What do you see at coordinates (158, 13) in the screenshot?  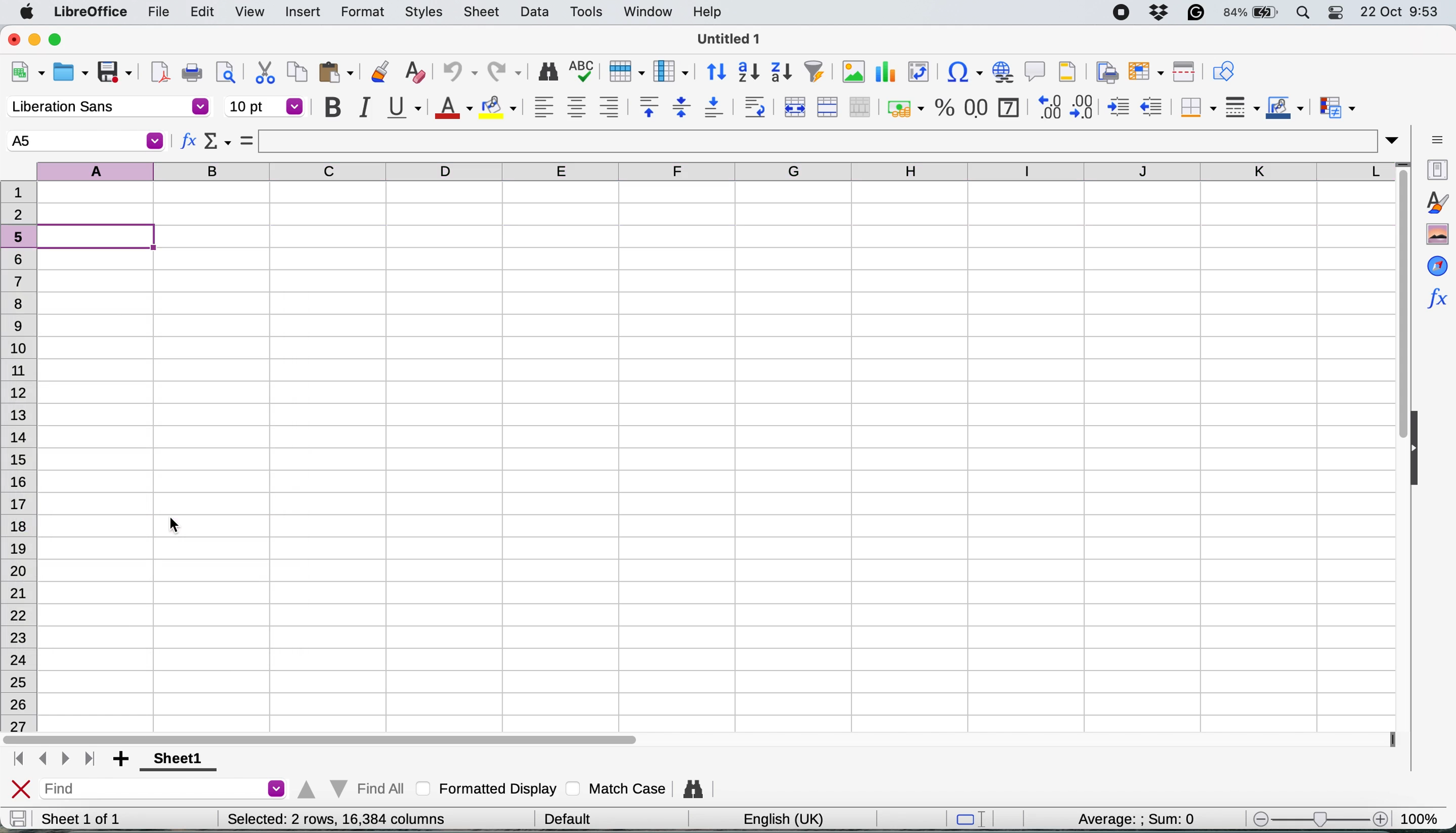 I see `file` at bounding box center [158, 13].